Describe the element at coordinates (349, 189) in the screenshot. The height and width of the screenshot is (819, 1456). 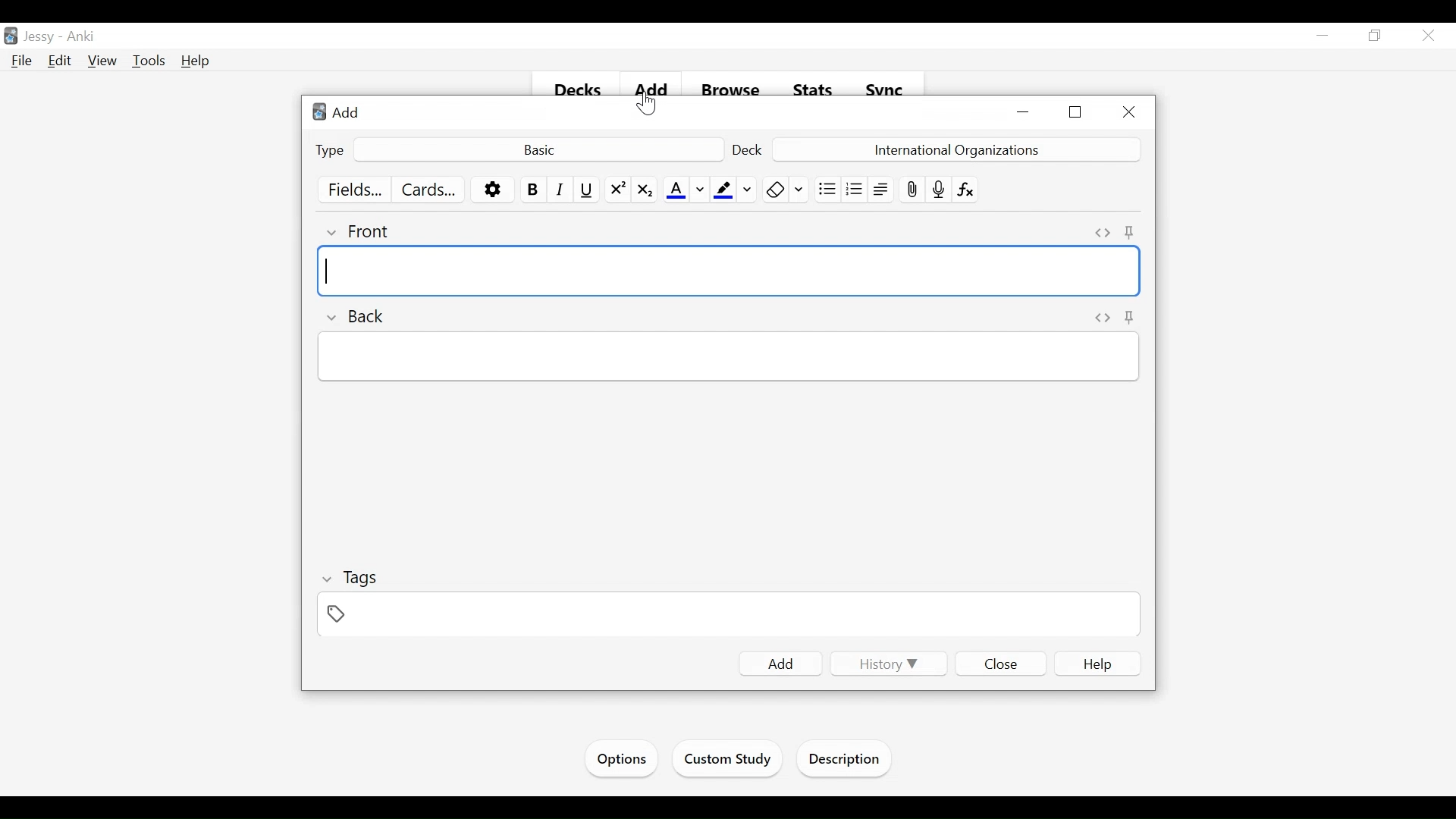
I see `Fields` at that location.